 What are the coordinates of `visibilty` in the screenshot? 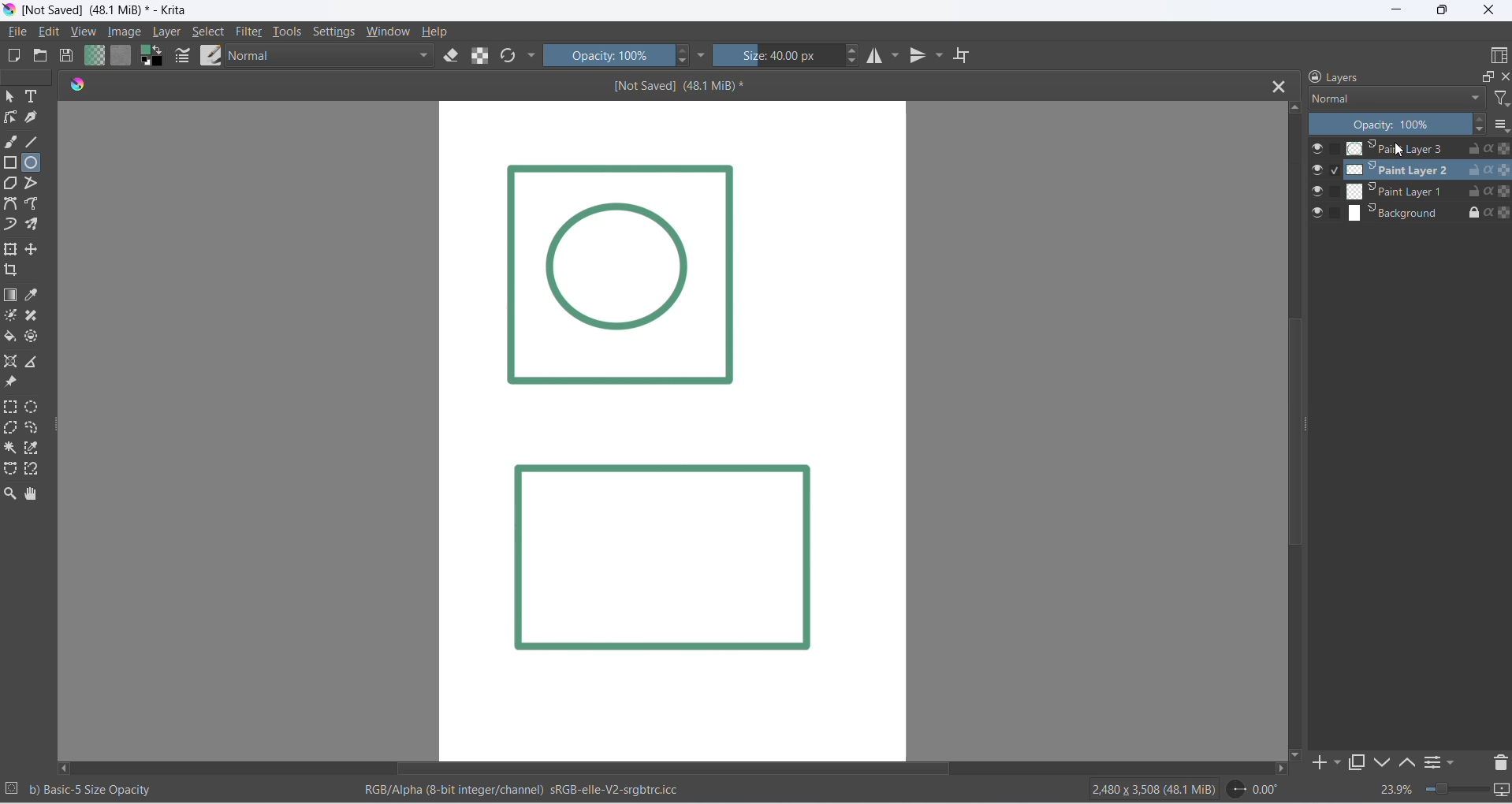 It's located at (1317, 213).